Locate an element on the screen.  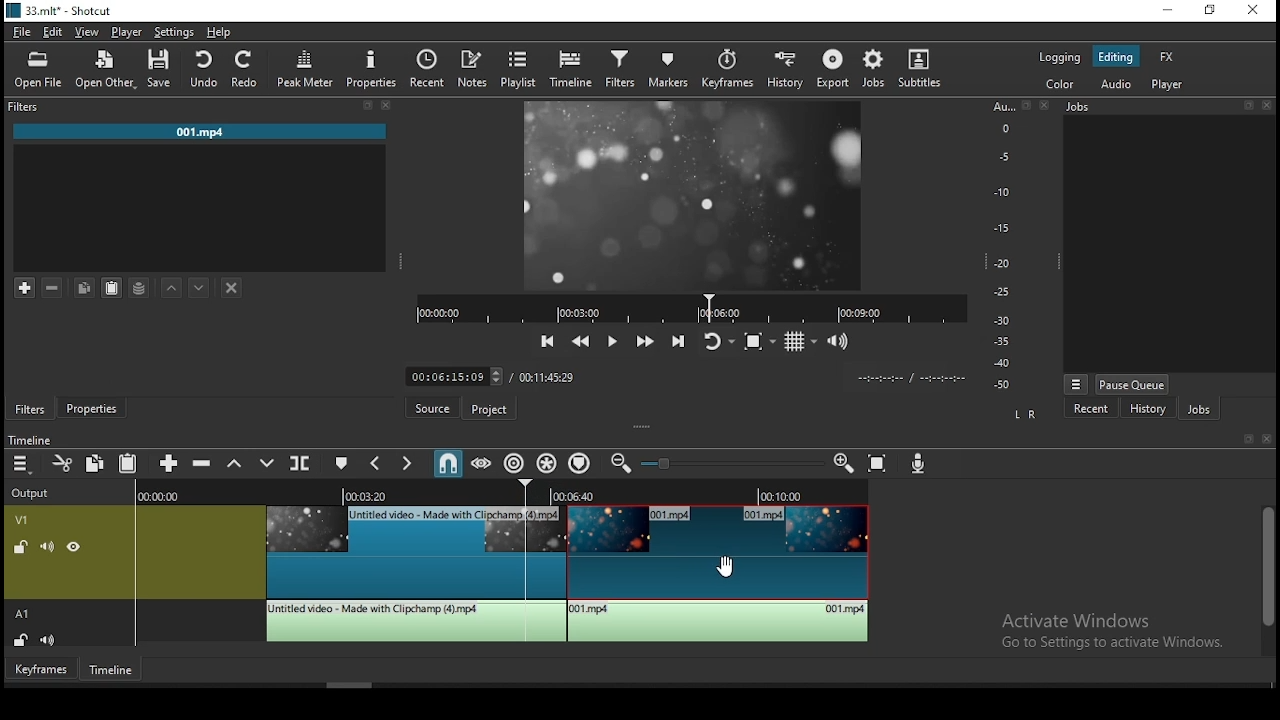
undo is located at coordinates (207, 69).